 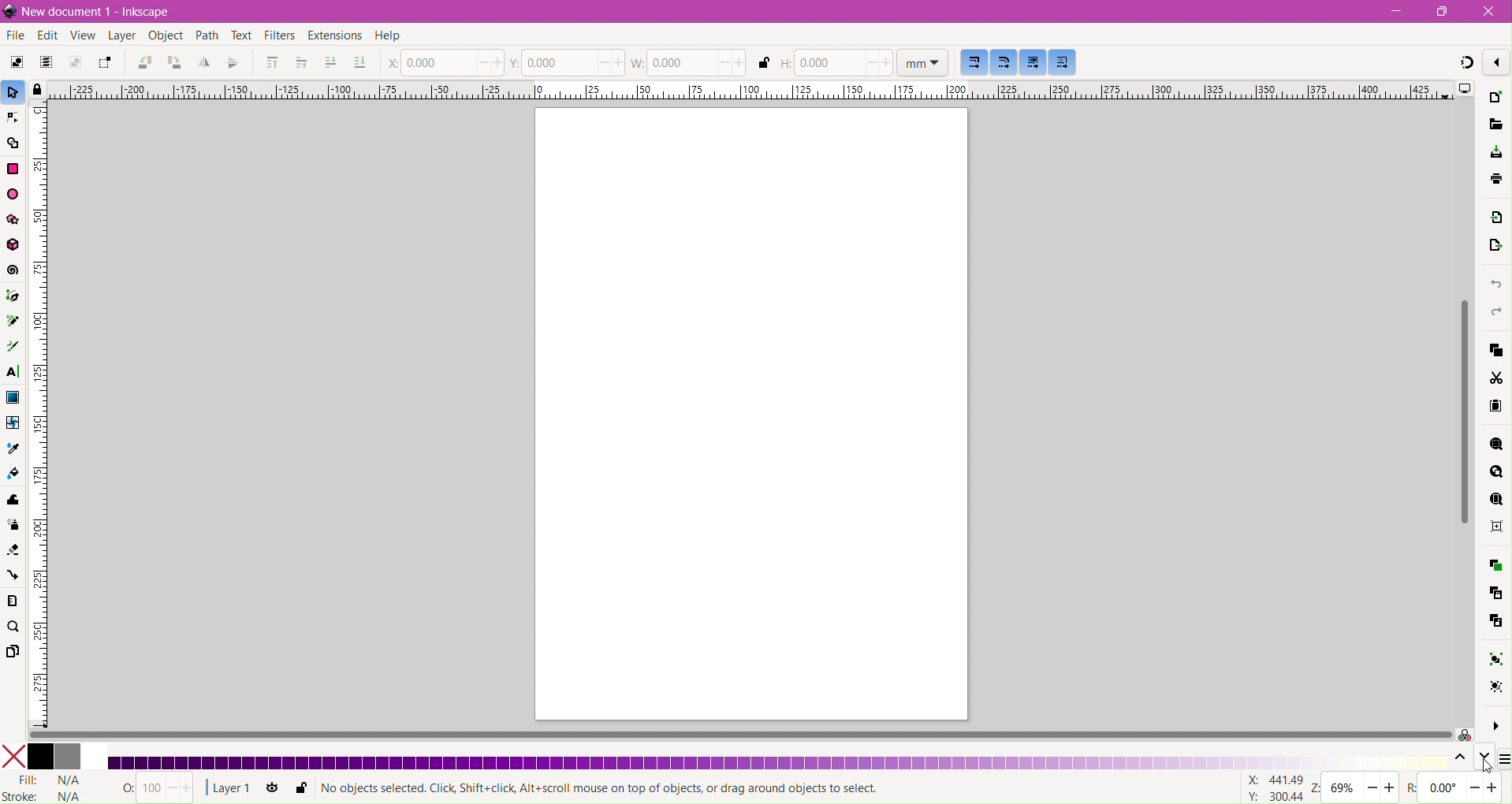 What do you see at coordinates (443, 61) in the screenshot?
I see `Set the position of X coordinate of the cursor` at bounding box center [443, 61].